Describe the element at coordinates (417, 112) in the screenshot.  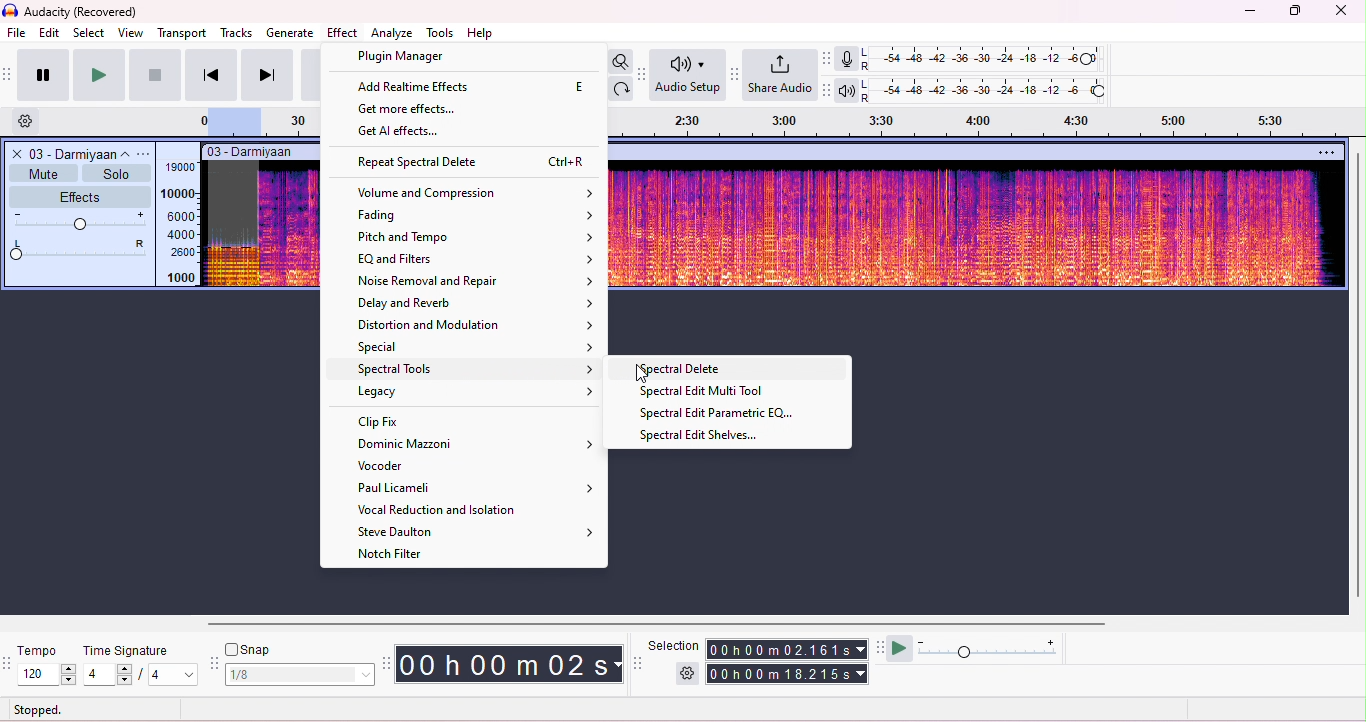
I see `get more effects` at that location.